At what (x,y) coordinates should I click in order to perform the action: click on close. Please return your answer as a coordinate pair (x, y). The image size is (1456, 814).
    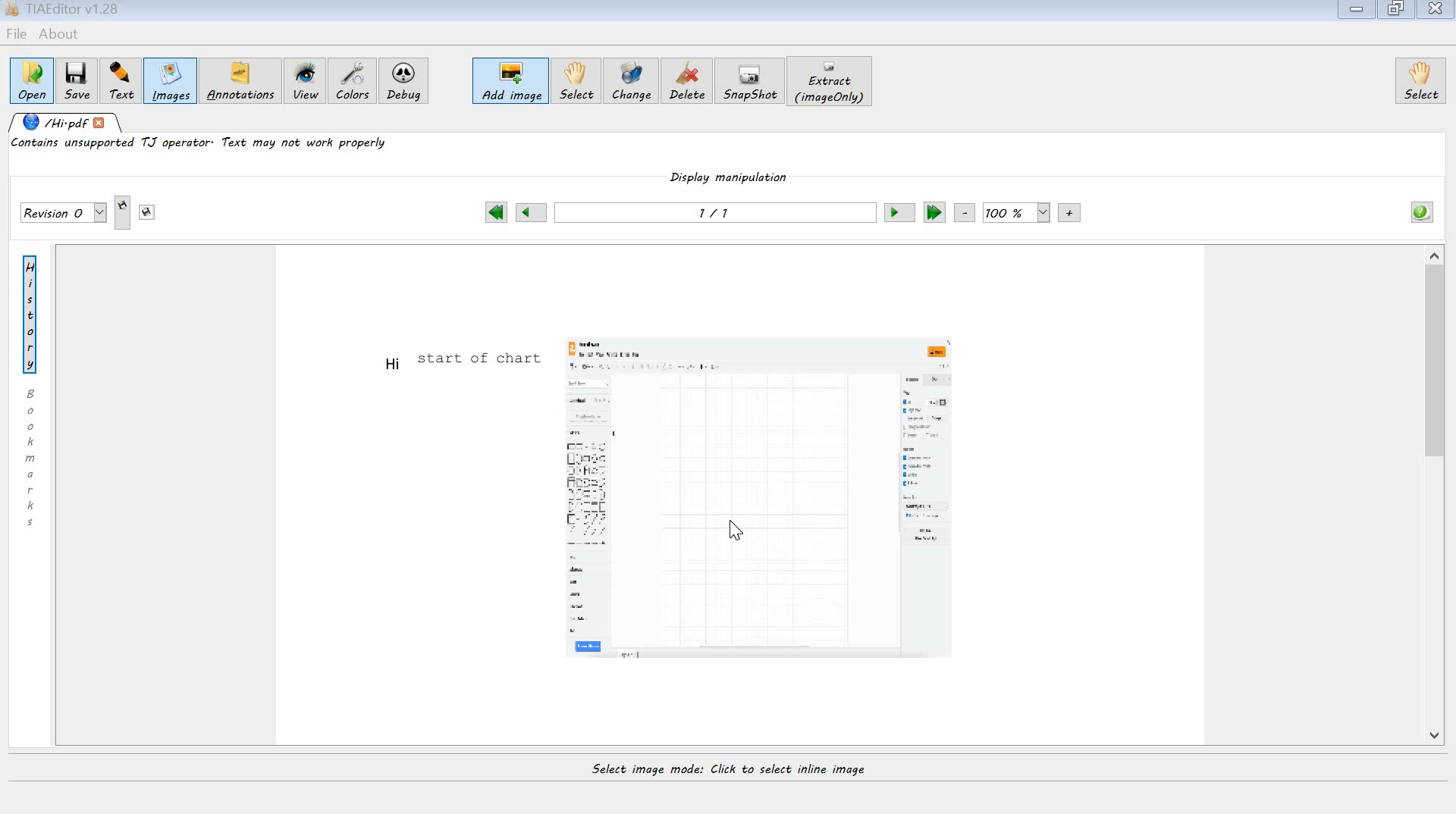
    Looking at the image, I should click on (1436, 10).